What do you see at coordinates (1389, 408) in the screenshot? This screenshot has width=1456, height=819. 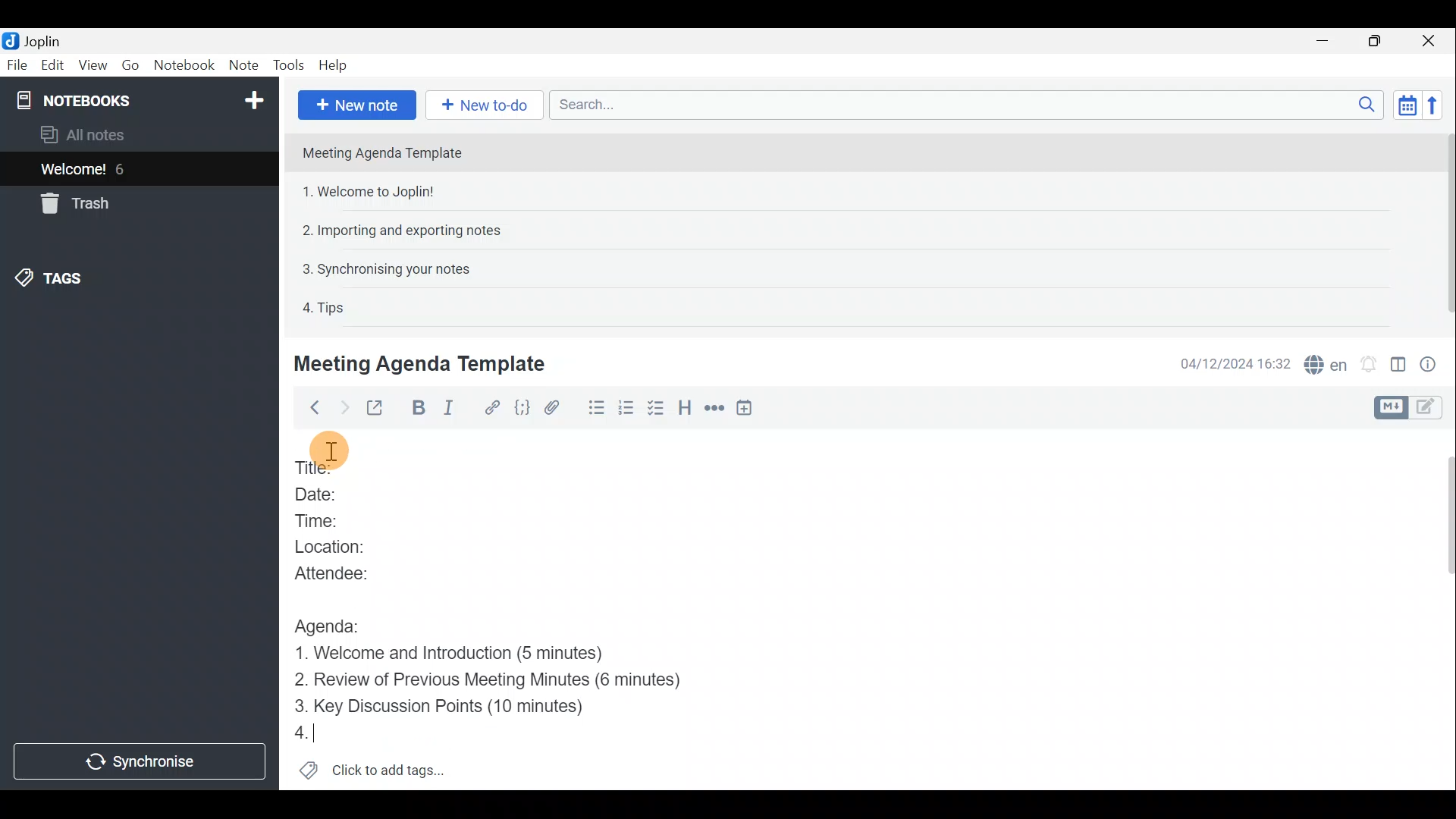 I see `Toggle editors` at bounding box center [1389, 408].